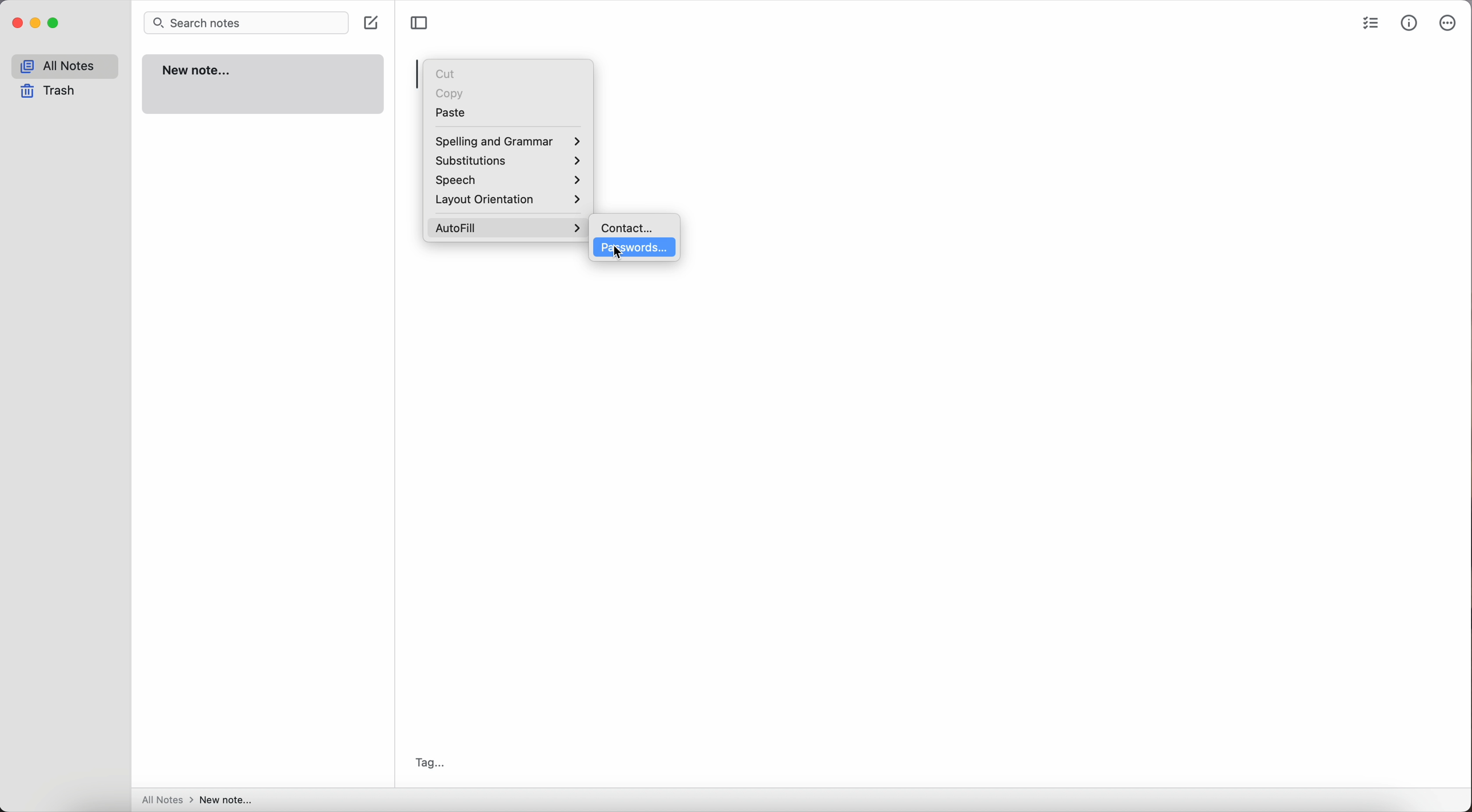 The image size is (1472, 812). Describe the element at coordinates (419, 23) in the screenshot. I see `toggle sidebar` at that location.